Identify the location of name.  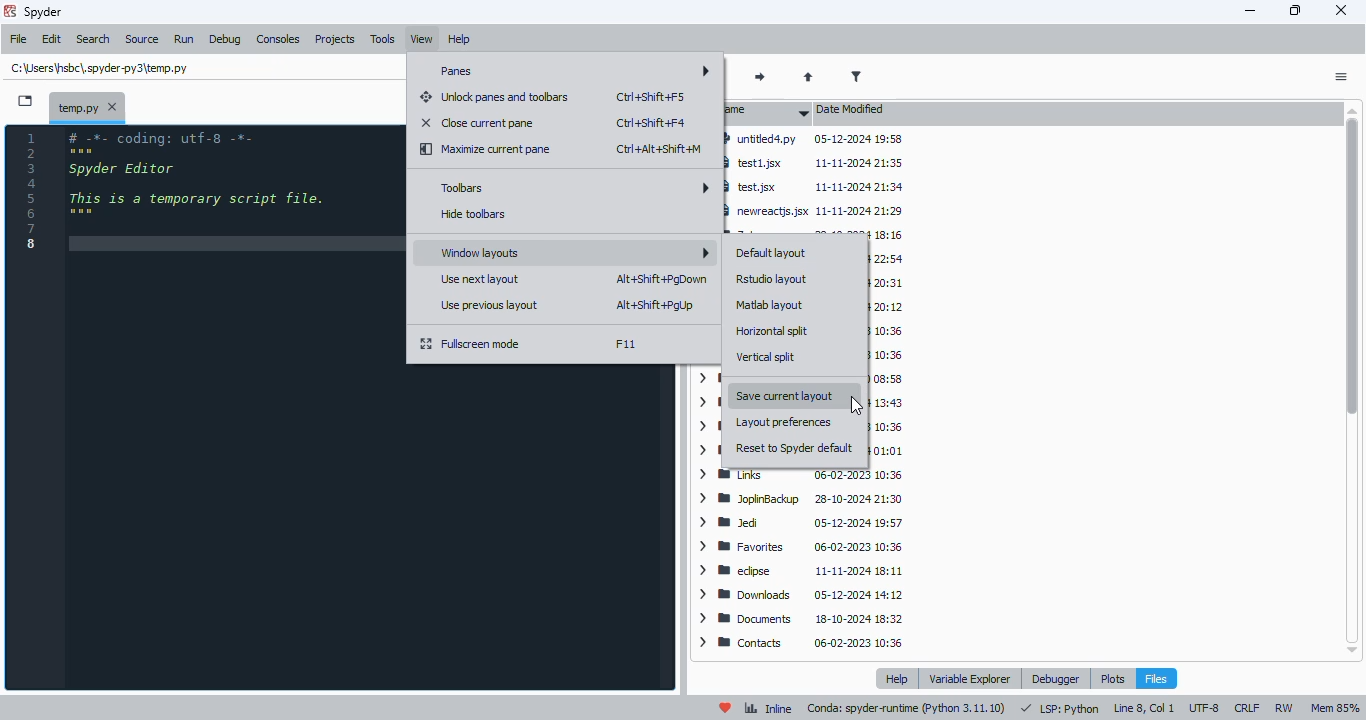
(768, 113).